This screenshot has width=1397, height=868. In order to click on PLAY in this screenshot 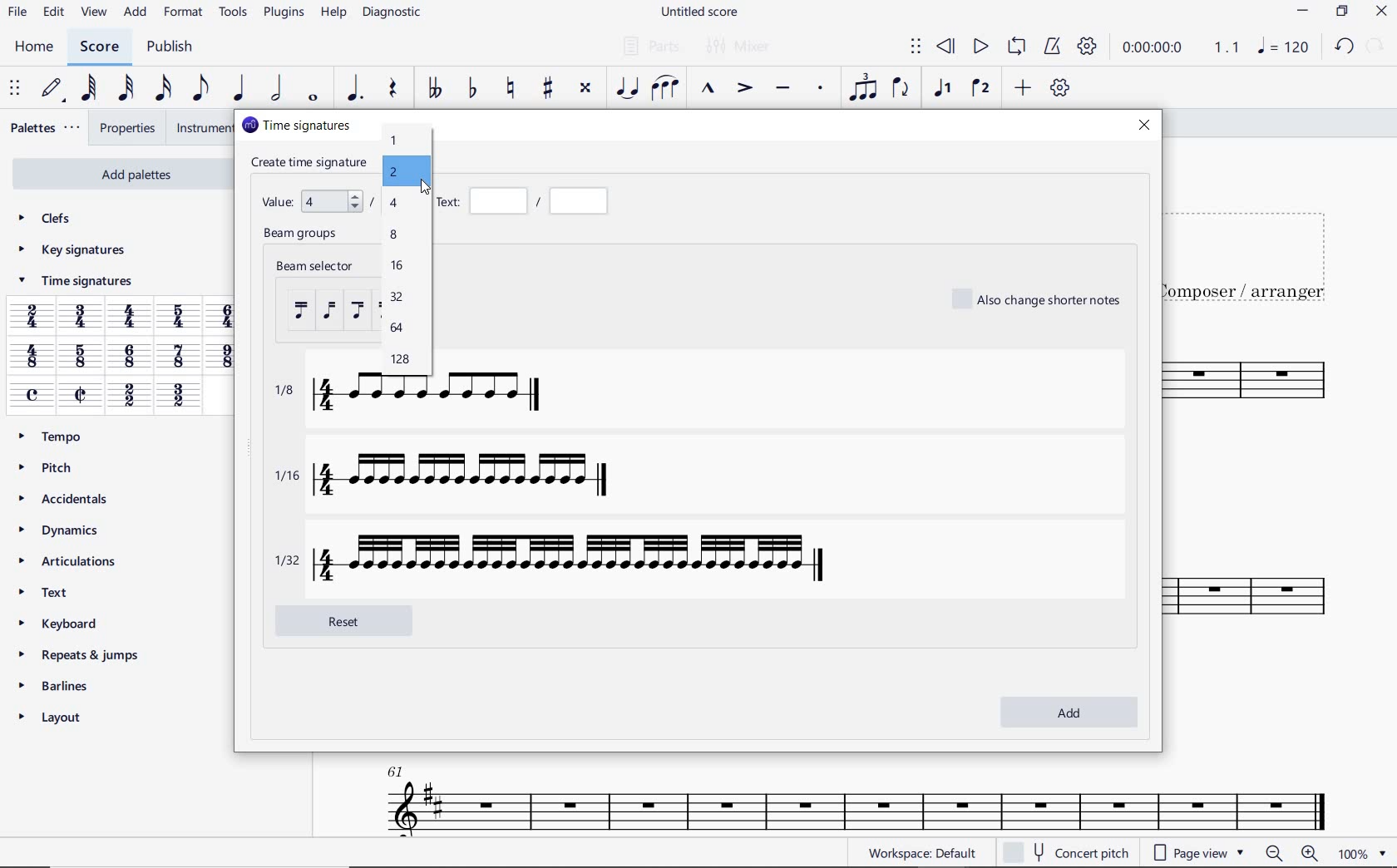, I will do `click(980, 45)`.